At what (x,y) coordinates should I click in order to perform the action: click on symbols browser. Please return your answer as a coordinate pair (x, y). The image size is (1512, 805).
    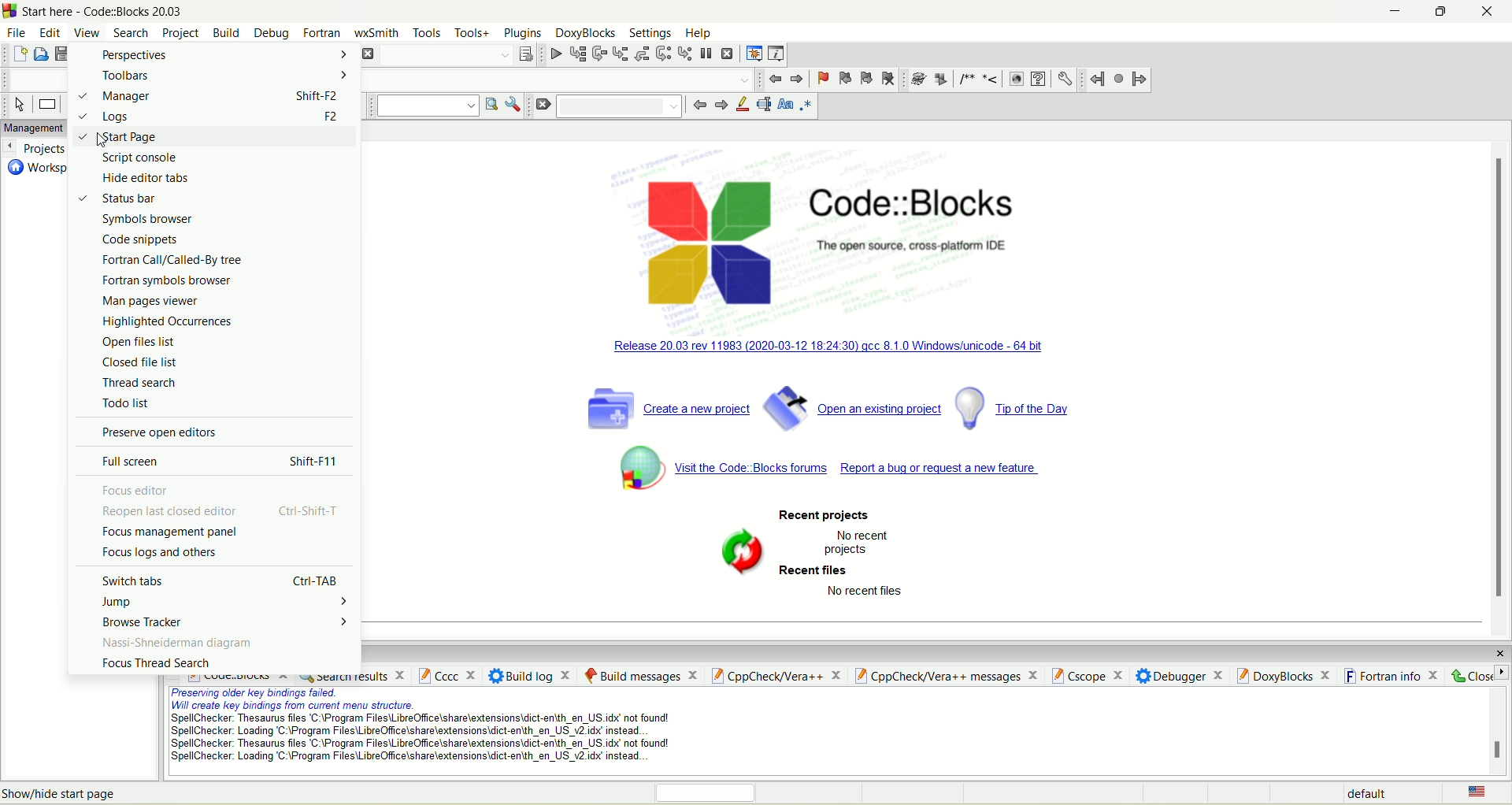
    Looking at the image, I should click on (146, 219).